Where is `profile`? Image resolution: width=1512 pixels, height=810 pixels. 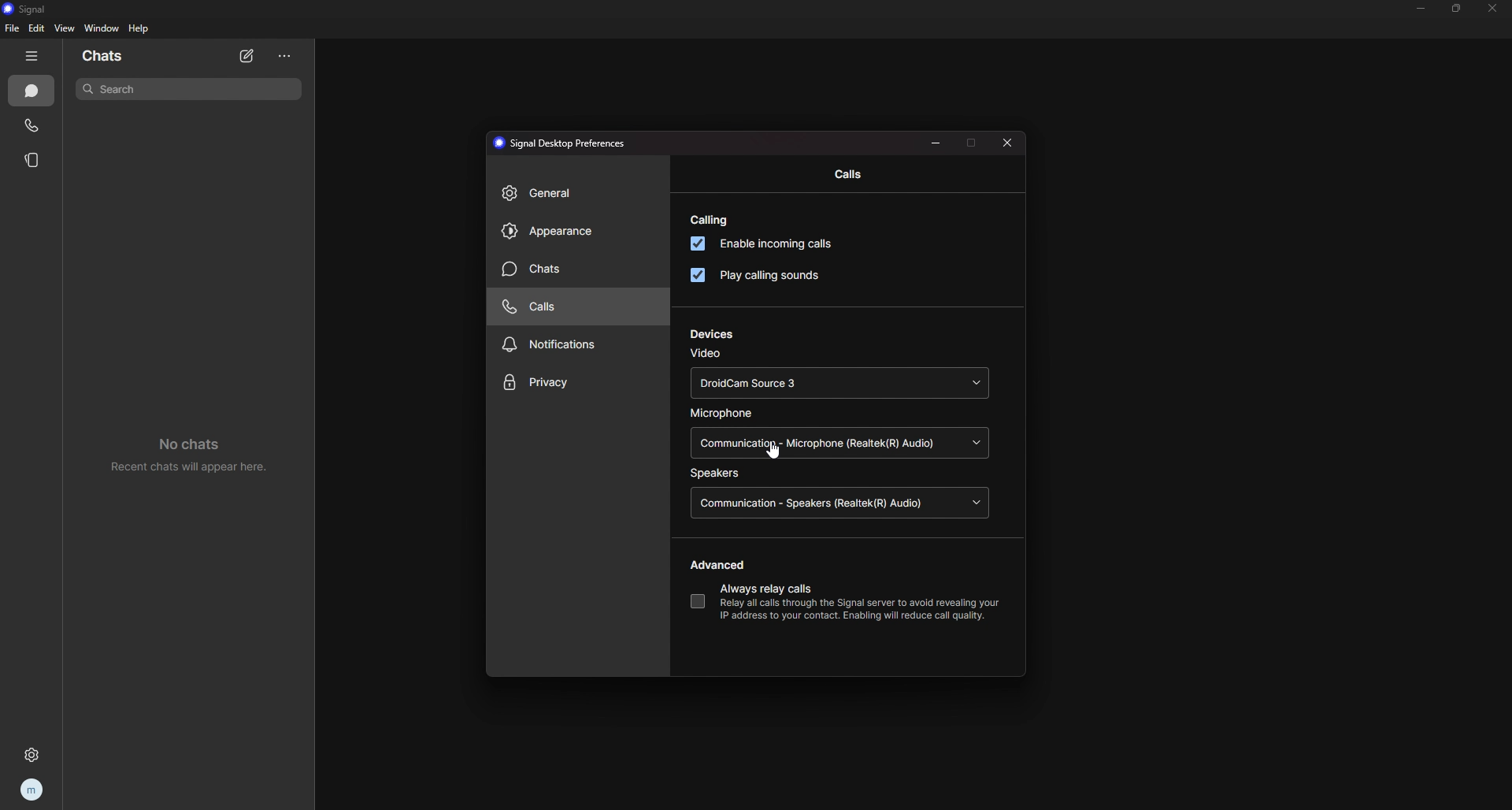
profile is located at coordinates (30, 790).